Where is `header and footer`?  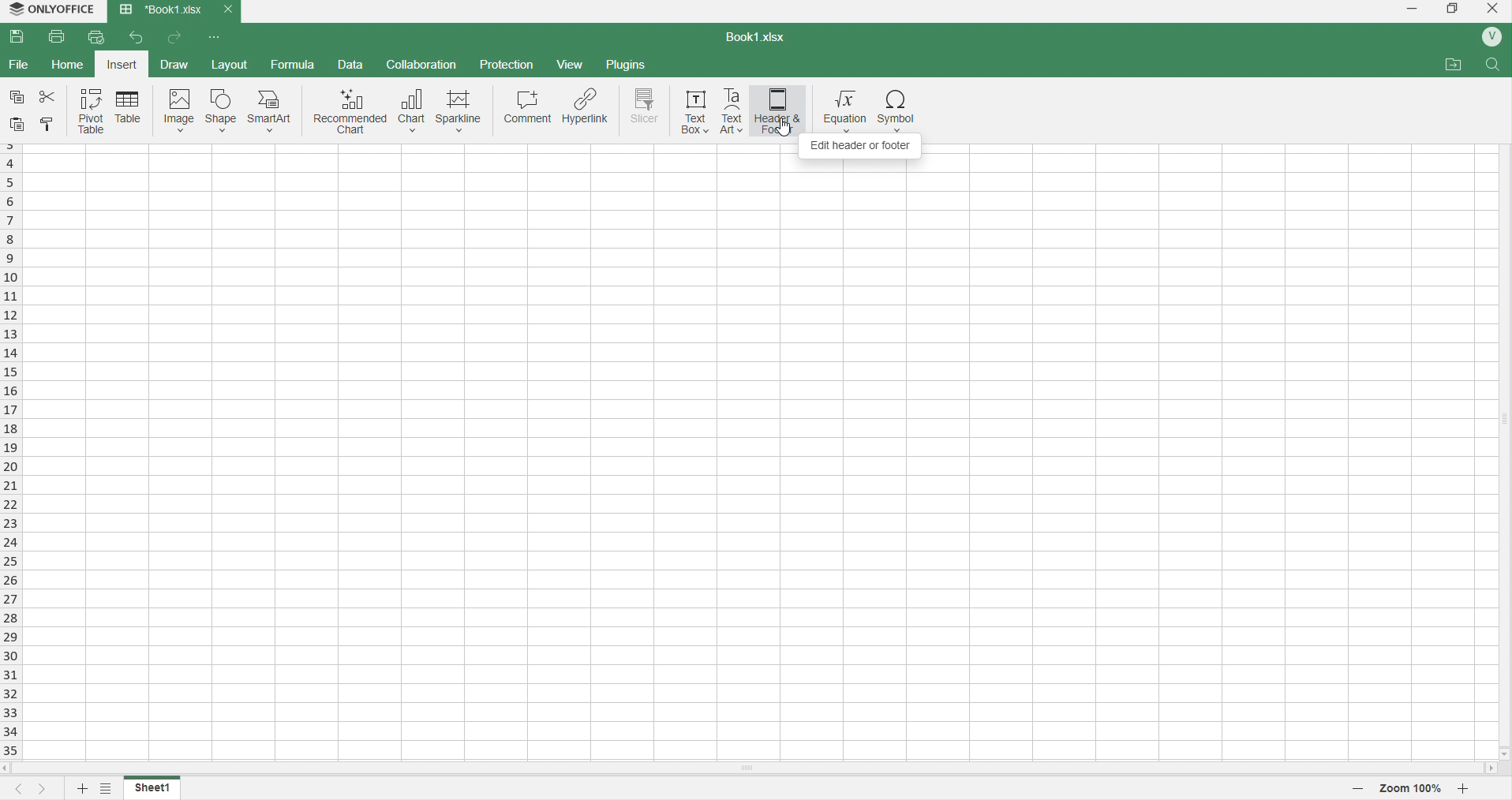 header and footer is located at coordinates (777, 111).